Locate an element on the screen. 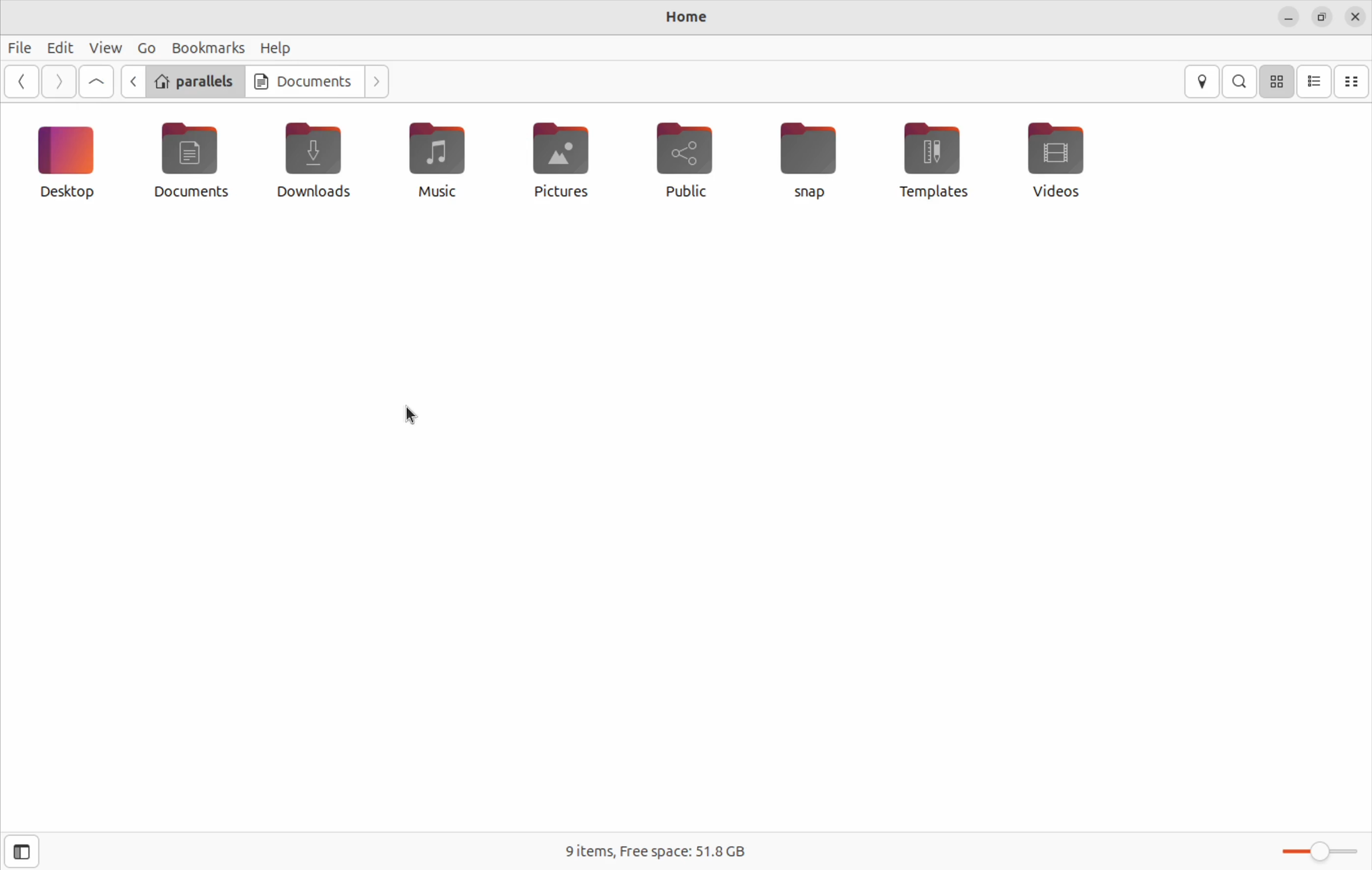 The height and width of the screenshot is (870, 1372). file is located at coordinates (21, 48).